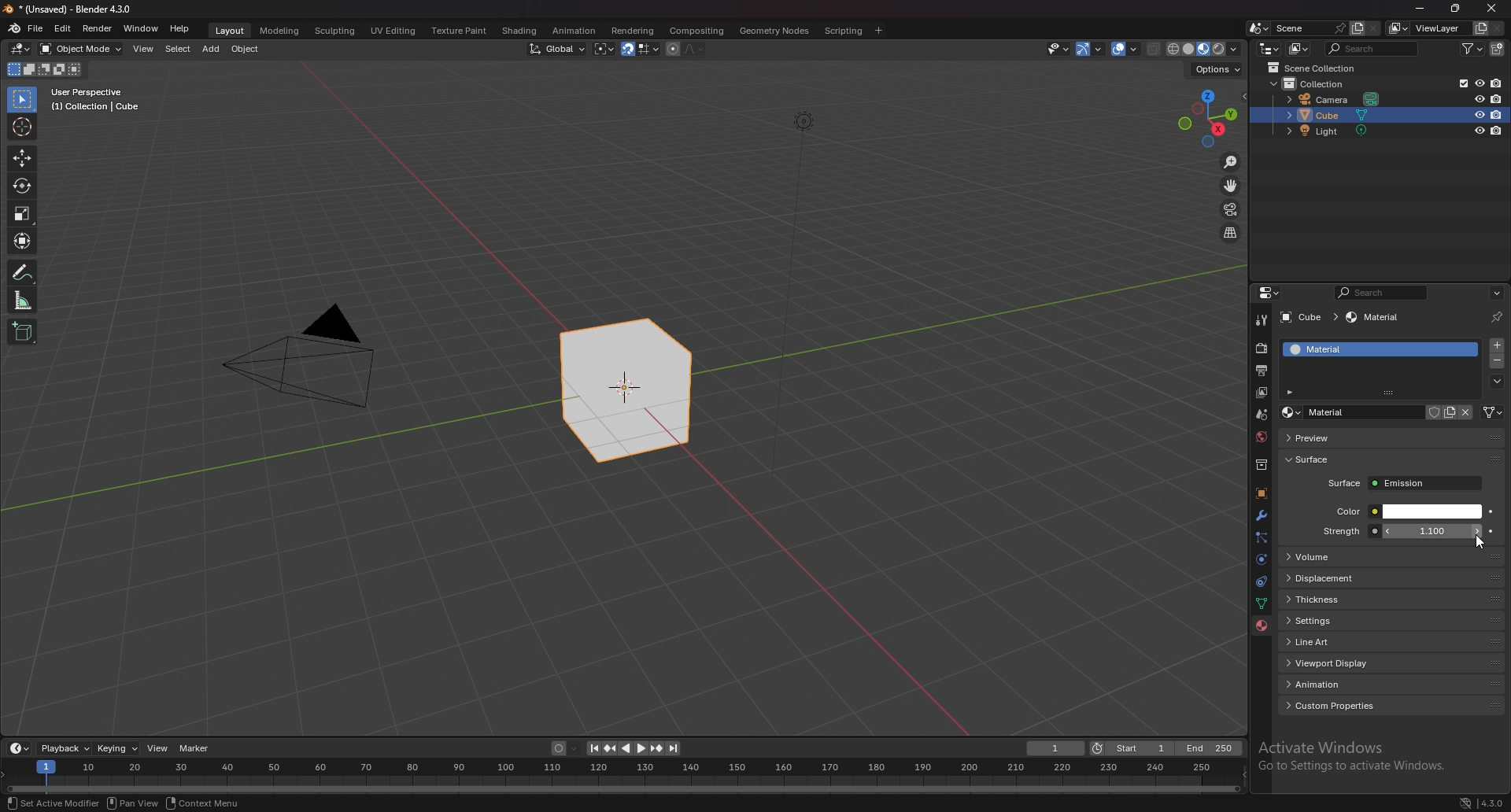  I want to click on view, so click(159, 748).